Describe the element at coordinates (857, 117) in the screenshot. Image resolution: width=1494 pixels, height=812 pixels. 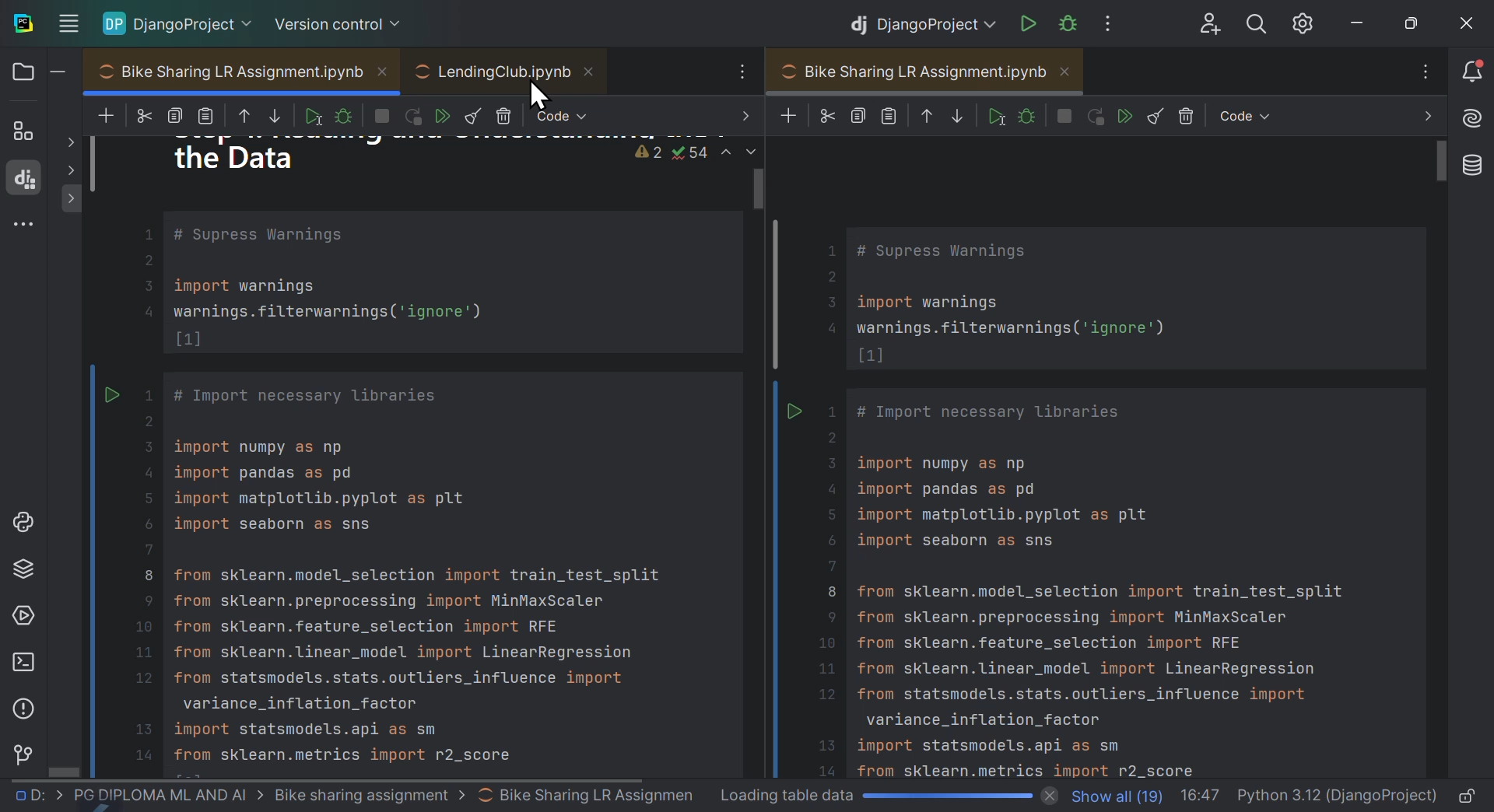
I see `copy cell` at that location.